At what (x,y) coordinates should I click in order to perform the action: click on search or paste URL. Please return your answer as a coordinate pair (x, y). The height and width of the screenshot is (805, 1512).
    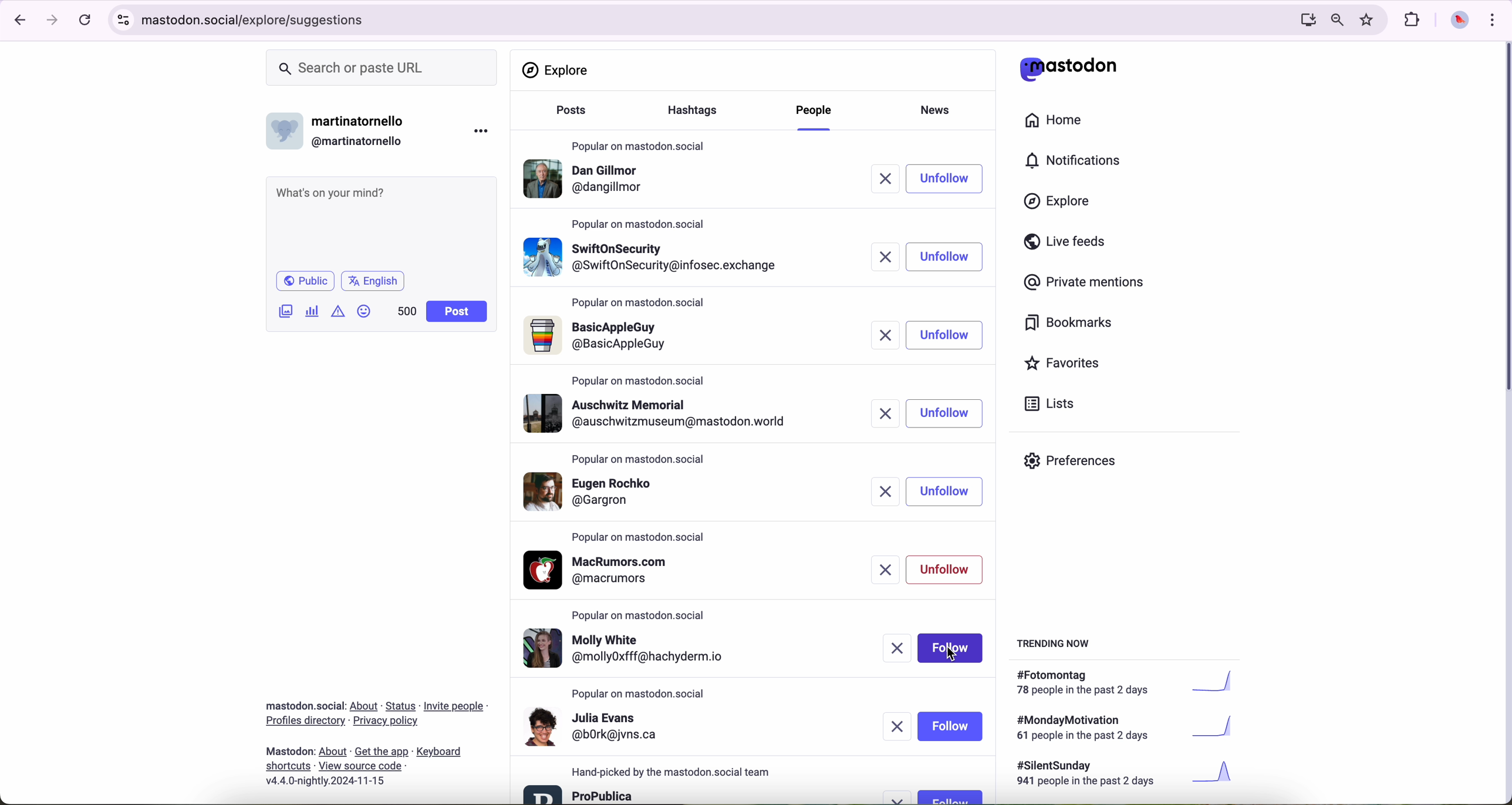
    Looking at the image, I should click on (382, 68).